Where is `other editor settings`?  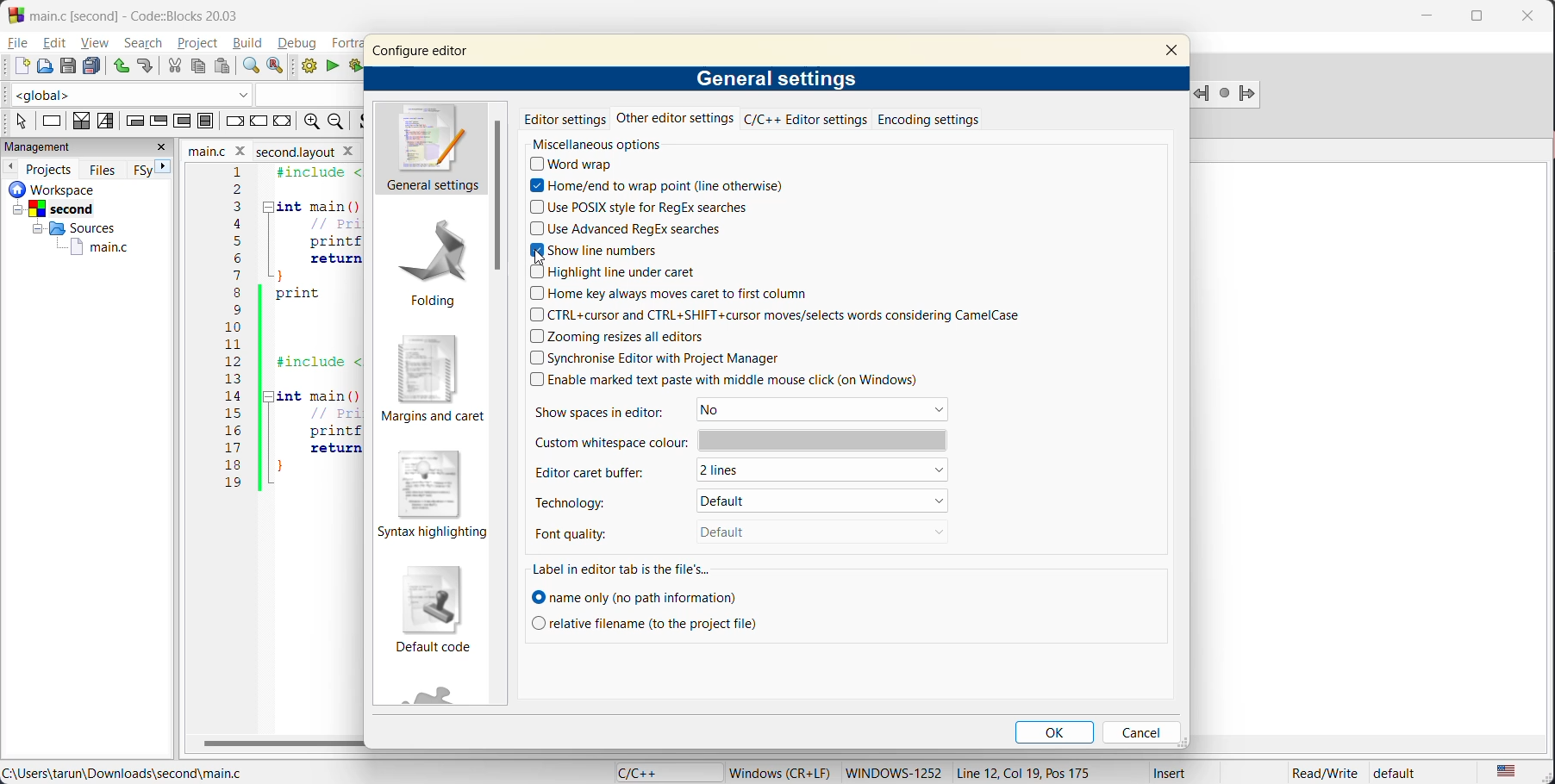
other editor settings is located at coordinates (675, 122).